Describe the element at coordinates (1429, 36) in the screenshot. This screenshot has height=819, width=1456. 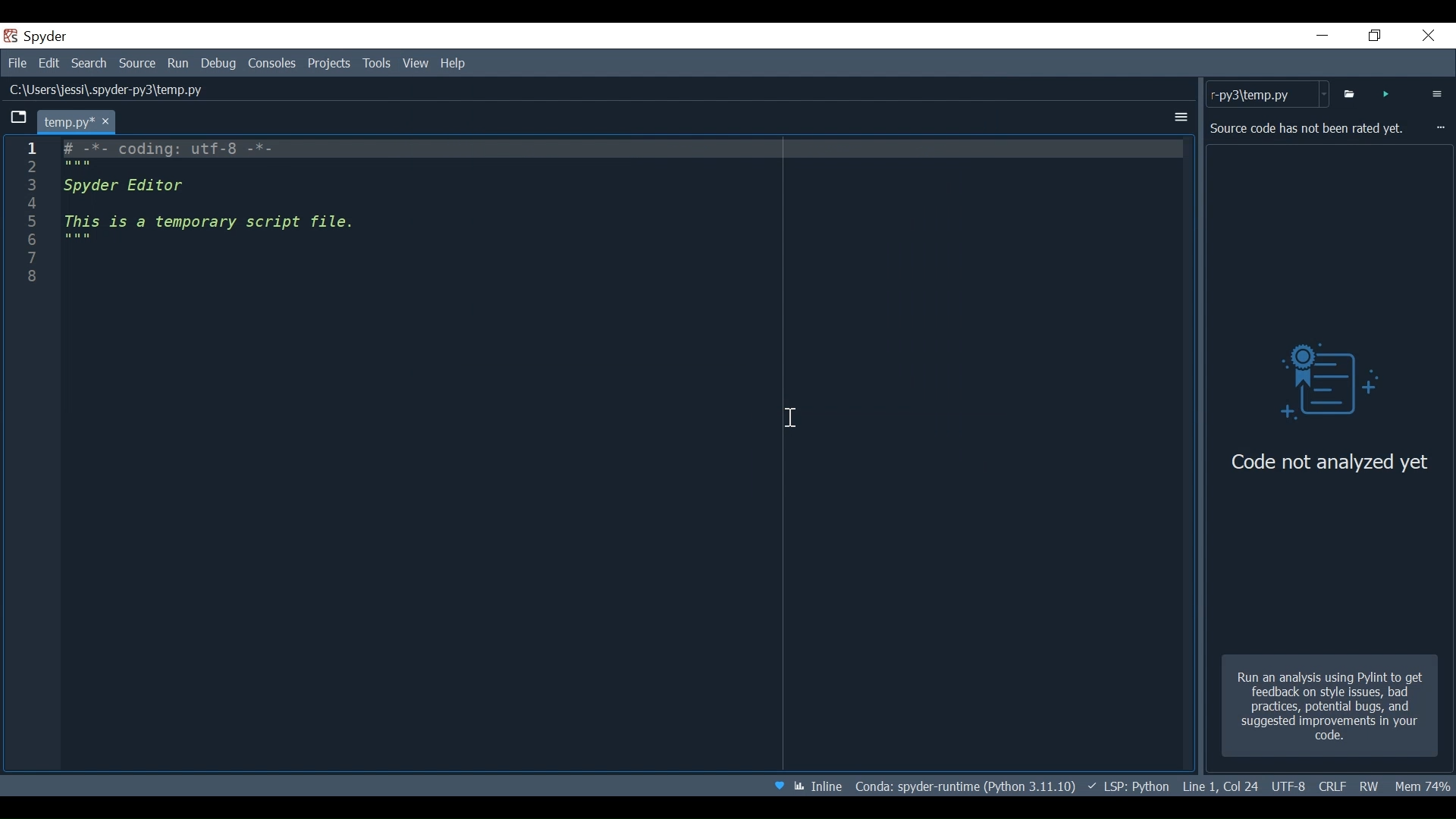
I see `Close` at that location.